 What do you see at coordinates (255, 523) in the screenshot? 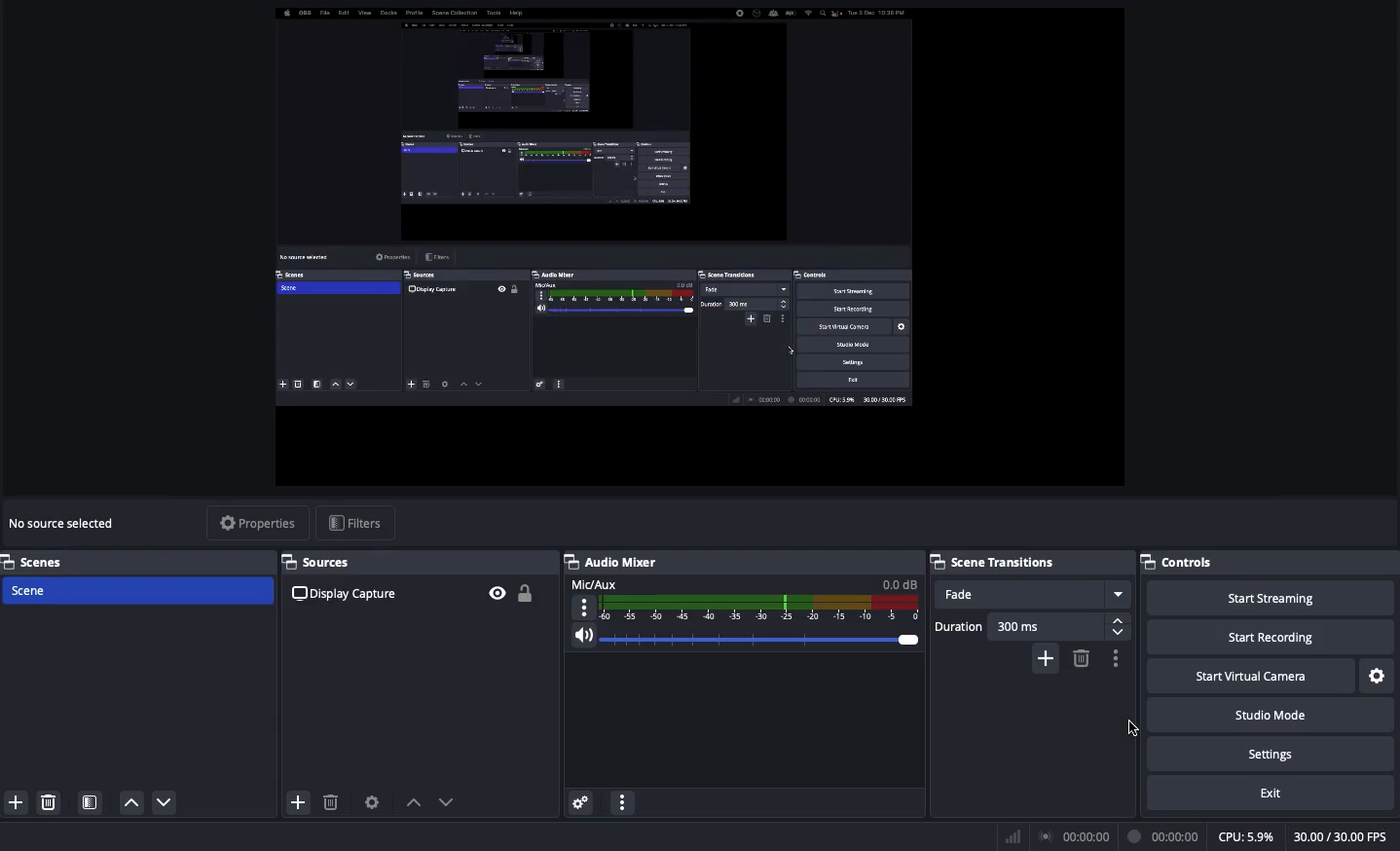
I see `Properties` at bounding box center [255, 523].